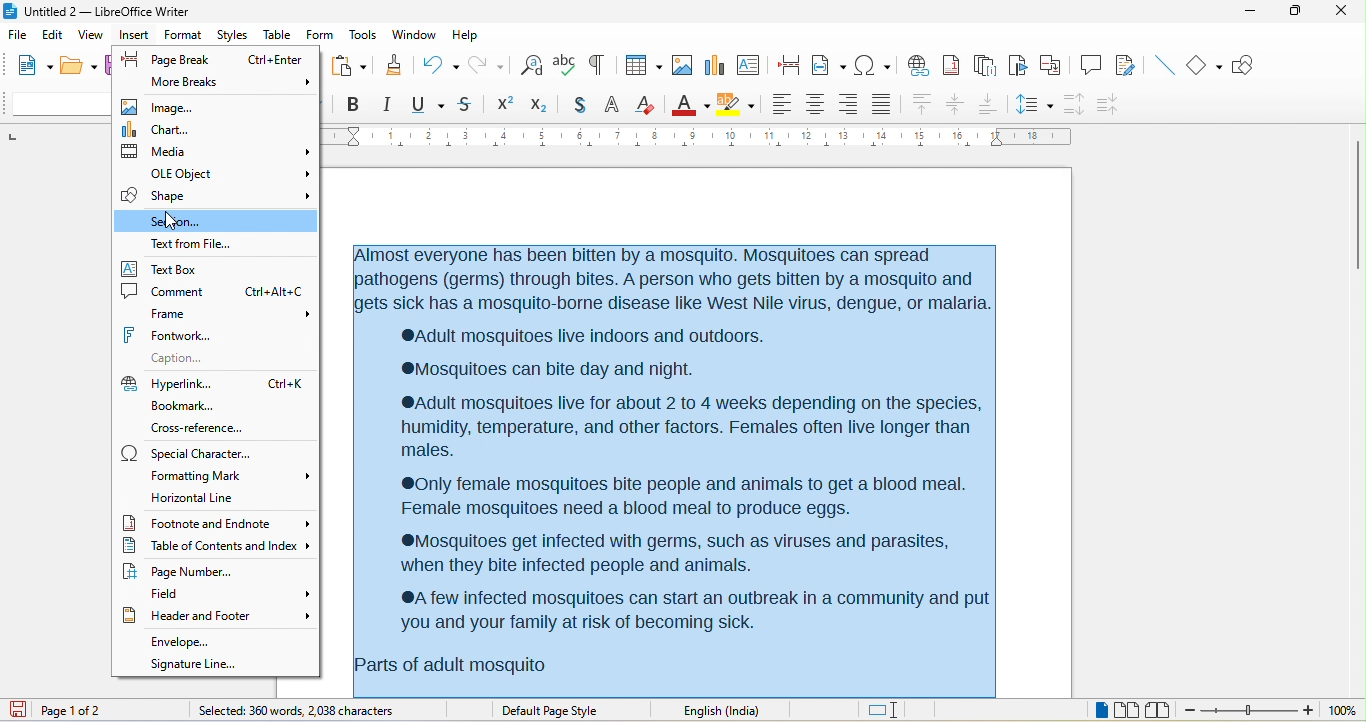 The width and height of the screenshot is (1366, 722). Describe the element at coordinates (318, 33) in the screenshot. I see `form` at that location.